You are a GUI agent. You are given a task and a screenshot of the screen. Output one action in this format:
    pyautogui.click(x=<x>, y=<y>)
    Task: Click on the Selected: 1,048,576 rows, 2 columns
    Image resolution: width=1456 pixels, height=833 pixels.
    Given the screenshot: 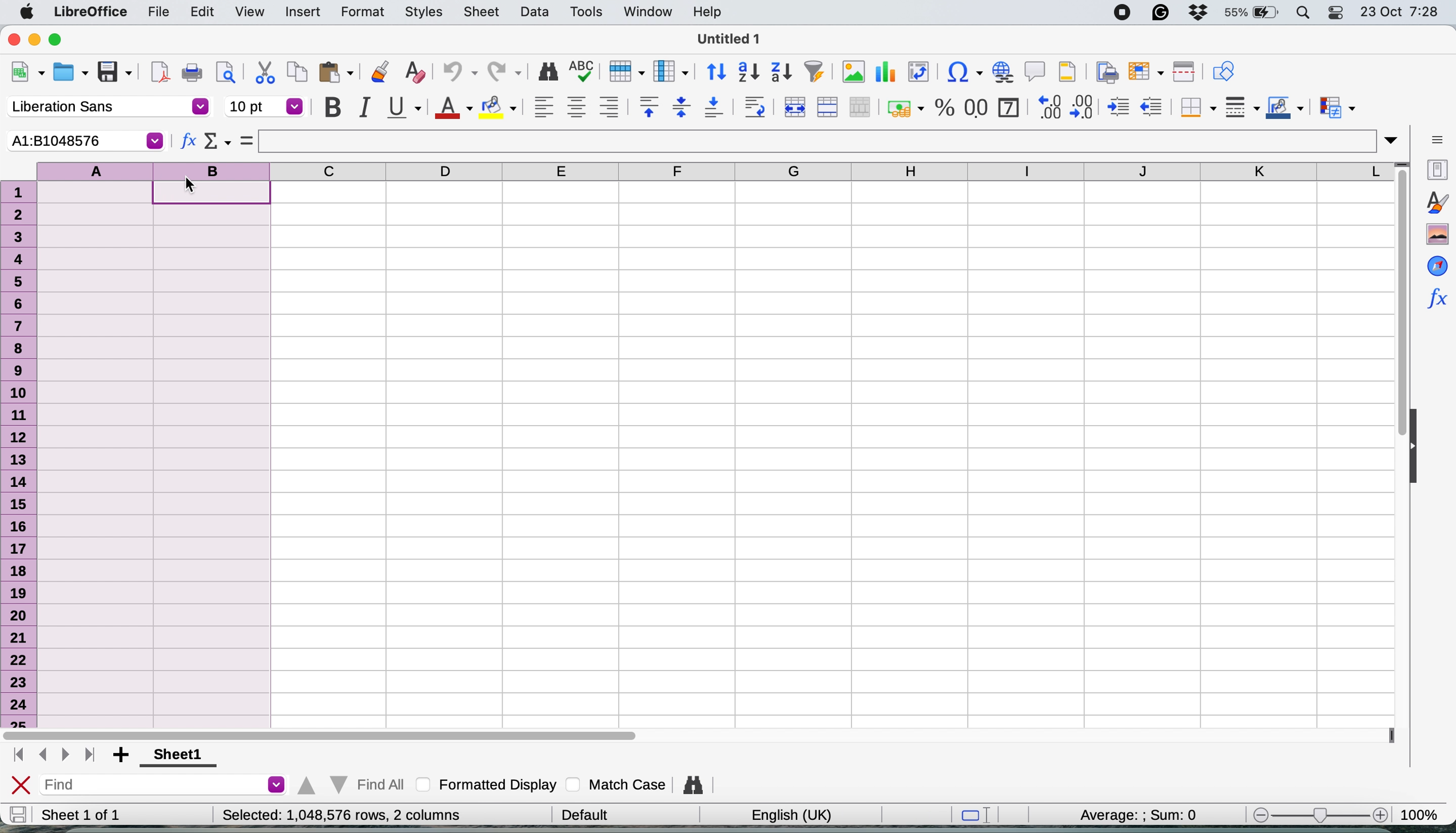 What is the action you would take?
    pyautogui.click(x=355, y=815)
    